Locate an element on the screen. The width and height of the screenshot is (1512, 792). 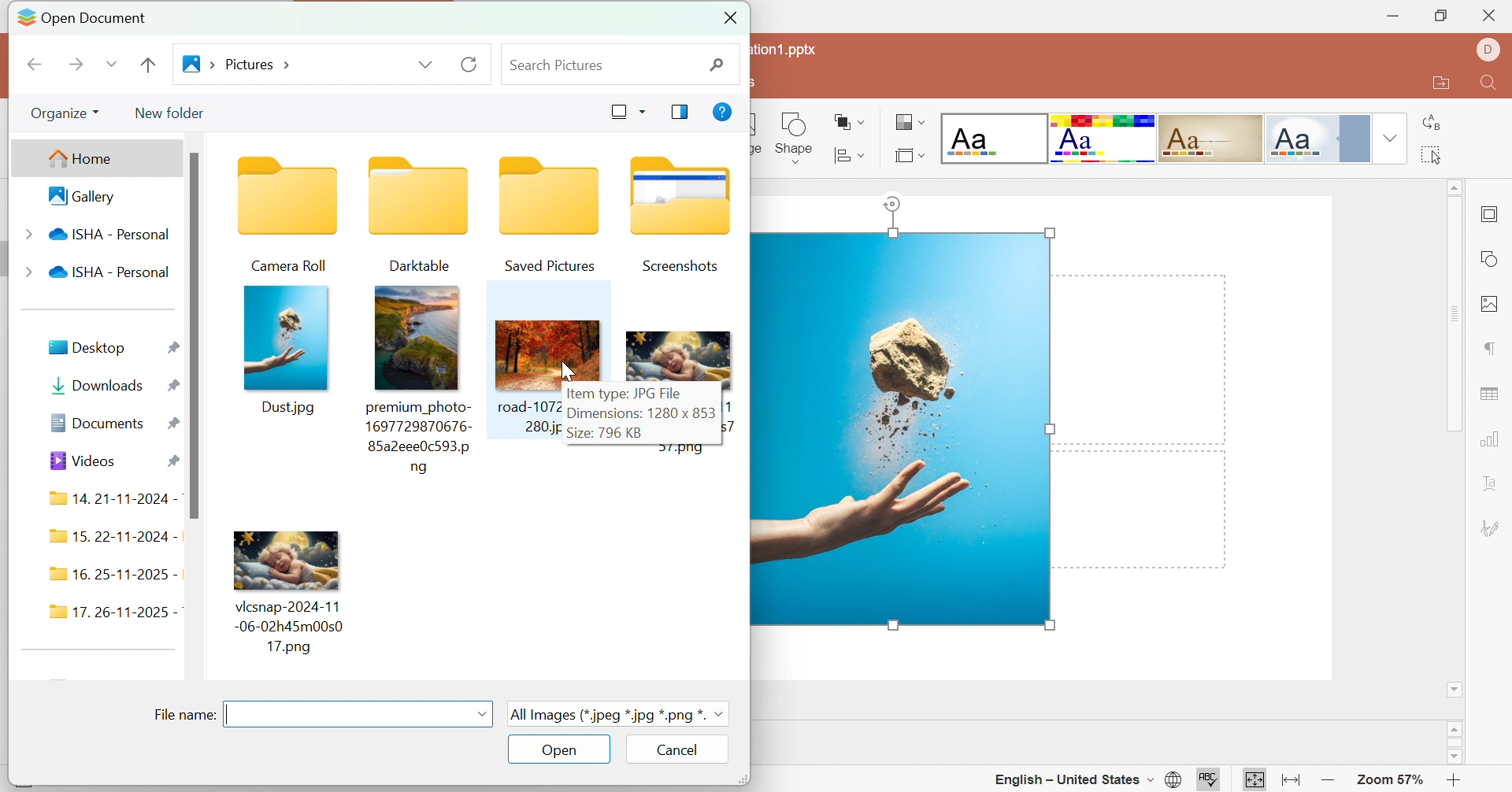
Home is located at coordinates (79, 157).